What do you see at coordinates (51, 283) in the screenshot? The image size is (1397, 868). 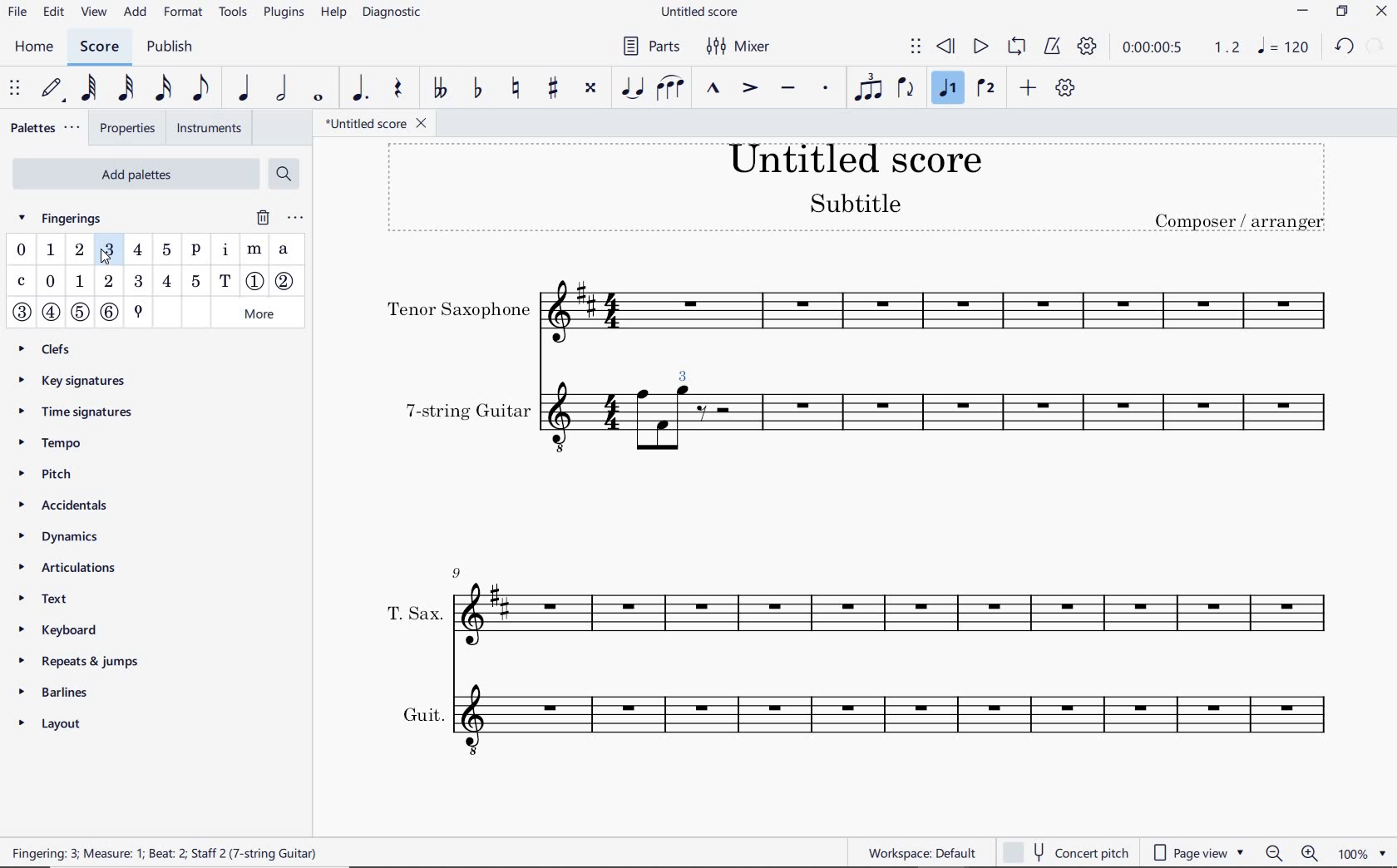 I see `Lh guitar fingering 0` at bounding box center [51, 283].